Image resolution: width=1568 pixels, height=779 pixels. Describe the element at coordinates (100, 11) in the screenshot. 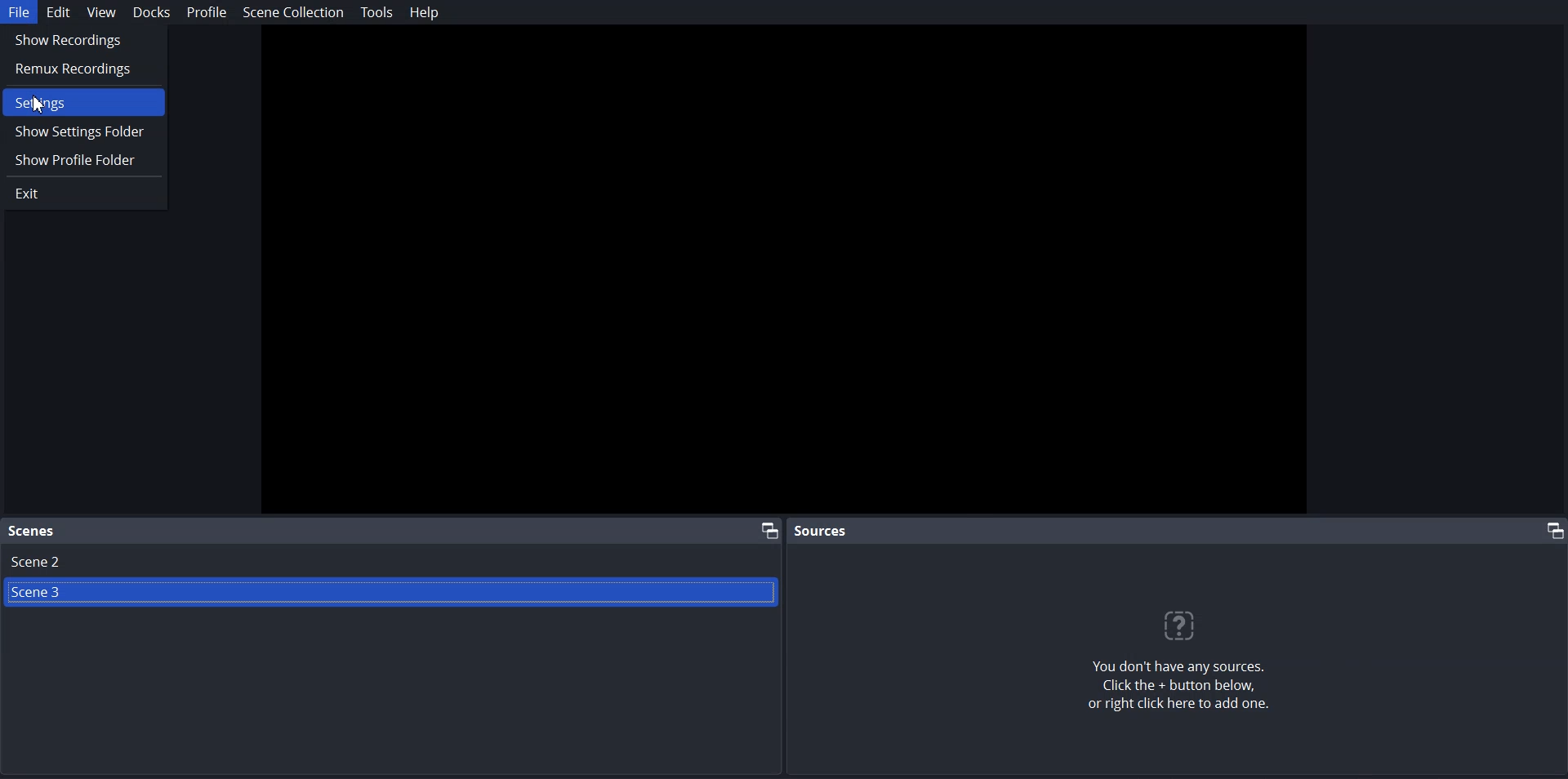

I see `View` at that location.